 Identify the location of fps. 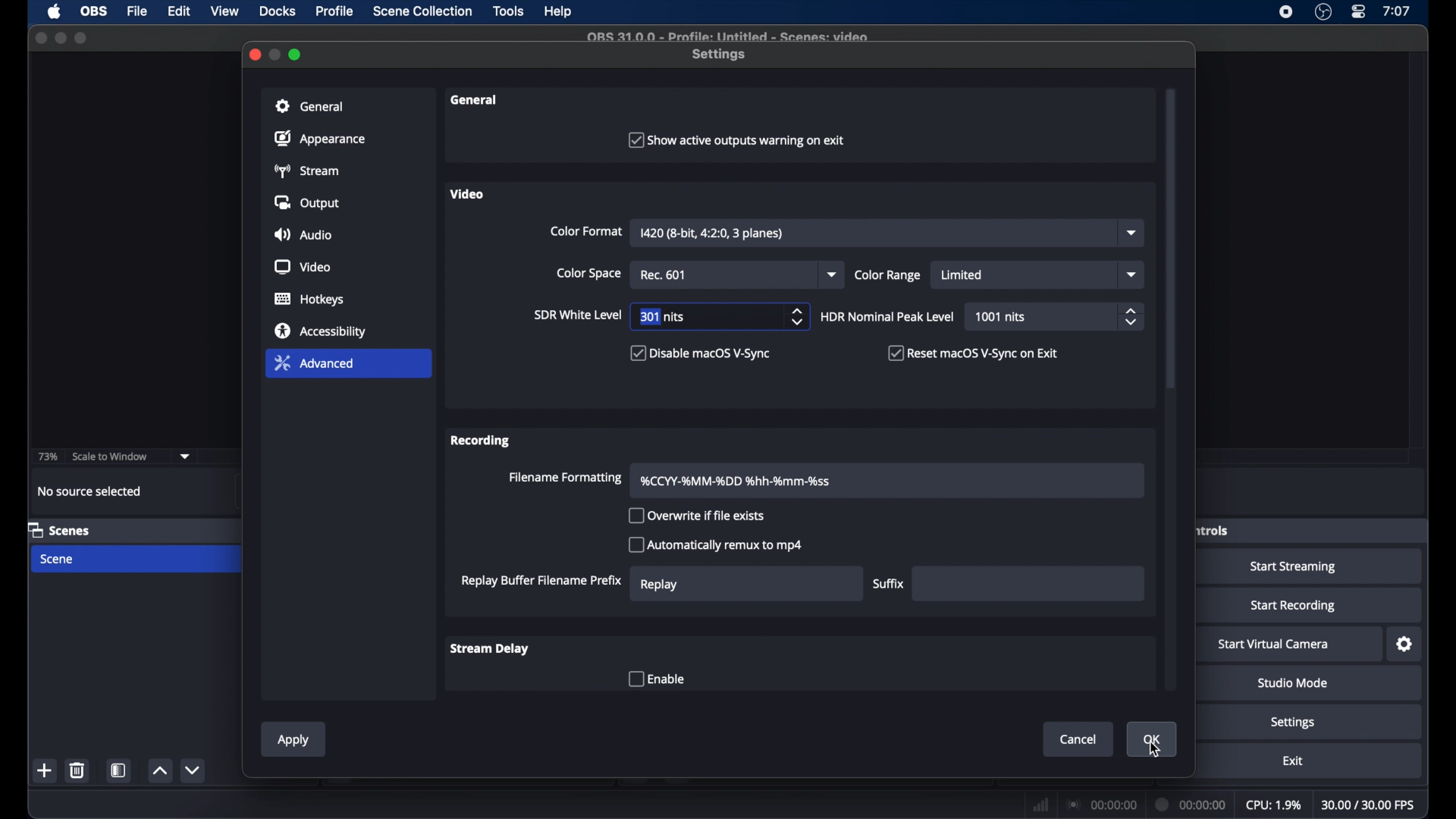
(1369, 805).